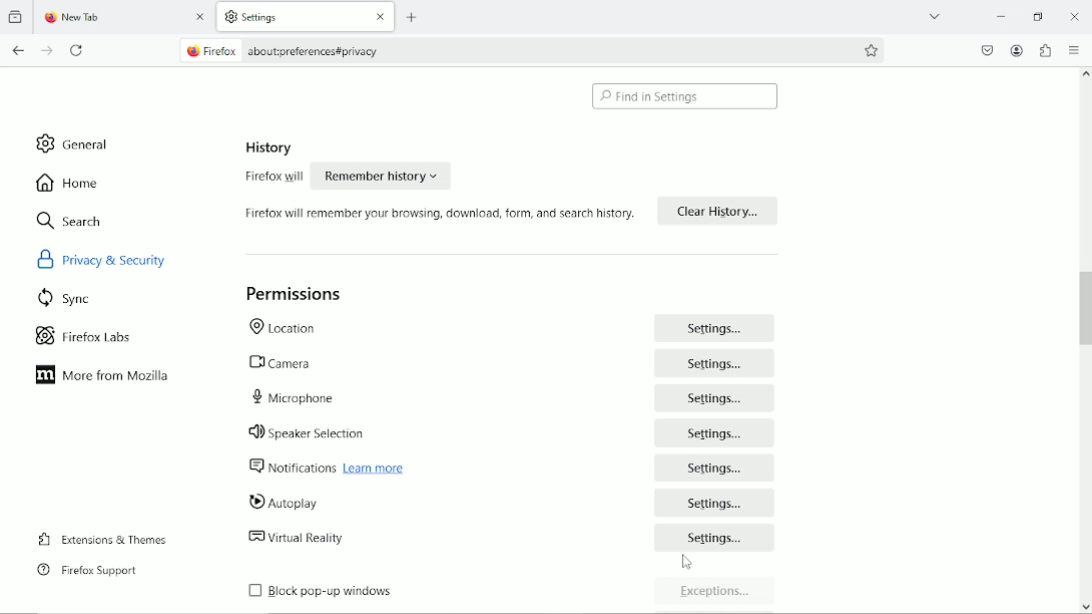 This screenshot has height=614, width=1092. Describe the element at coordinates (717, 400) in the screenshot. I see `Settings.` at that location.